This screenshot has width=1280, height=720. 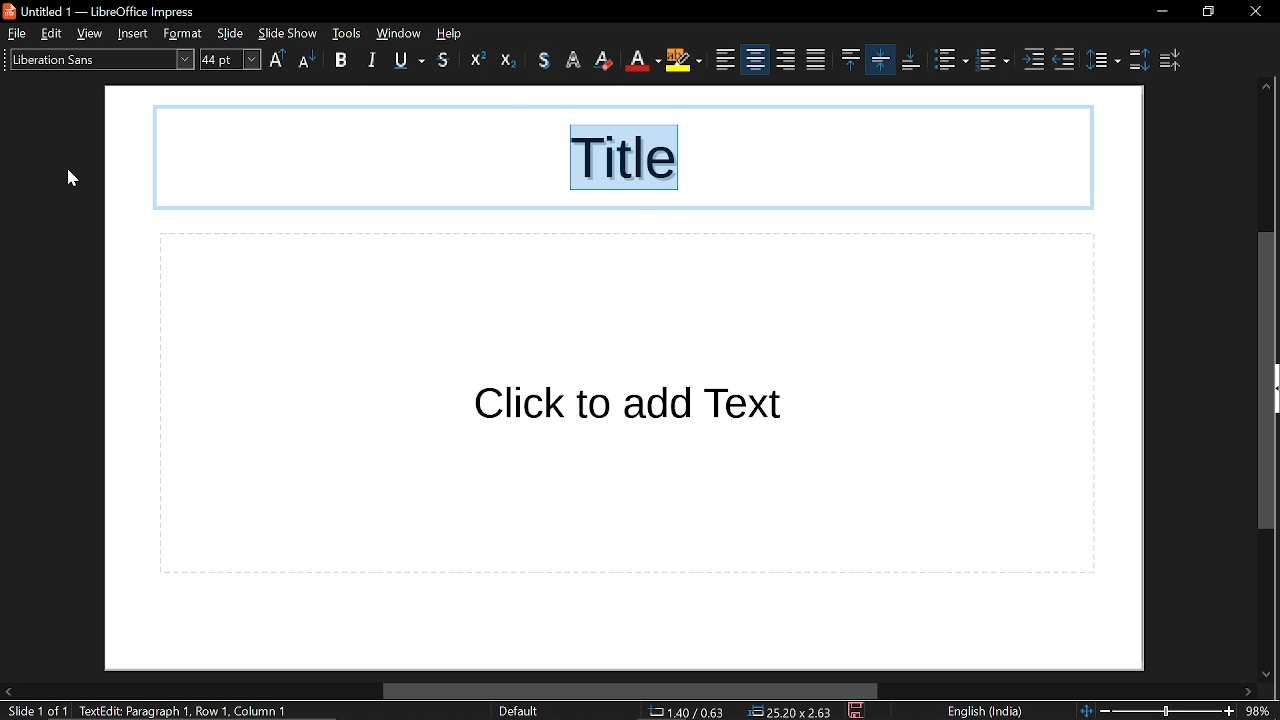 I want to click on uppercase, so click(x=278, y=61).